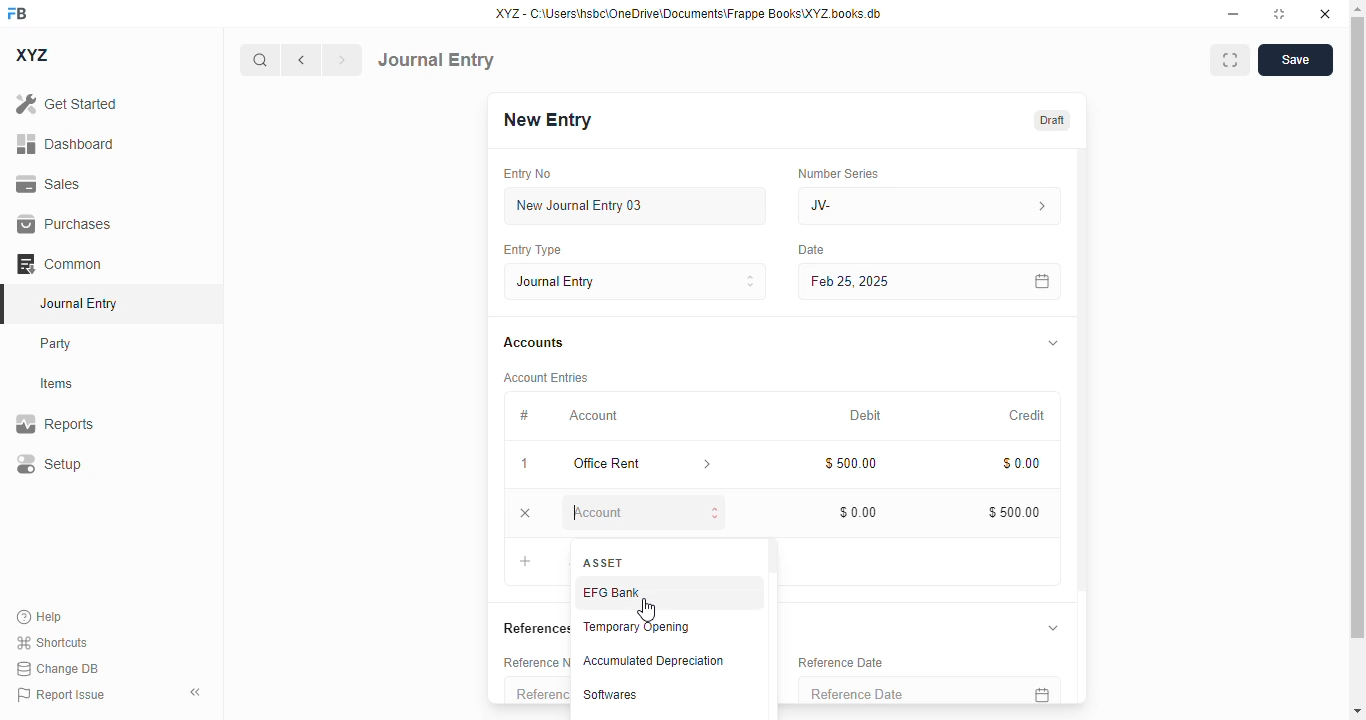 Image resolution: width=1366 pixels, height=720 pixels. I want to click on minimize, so click(1232, 13).